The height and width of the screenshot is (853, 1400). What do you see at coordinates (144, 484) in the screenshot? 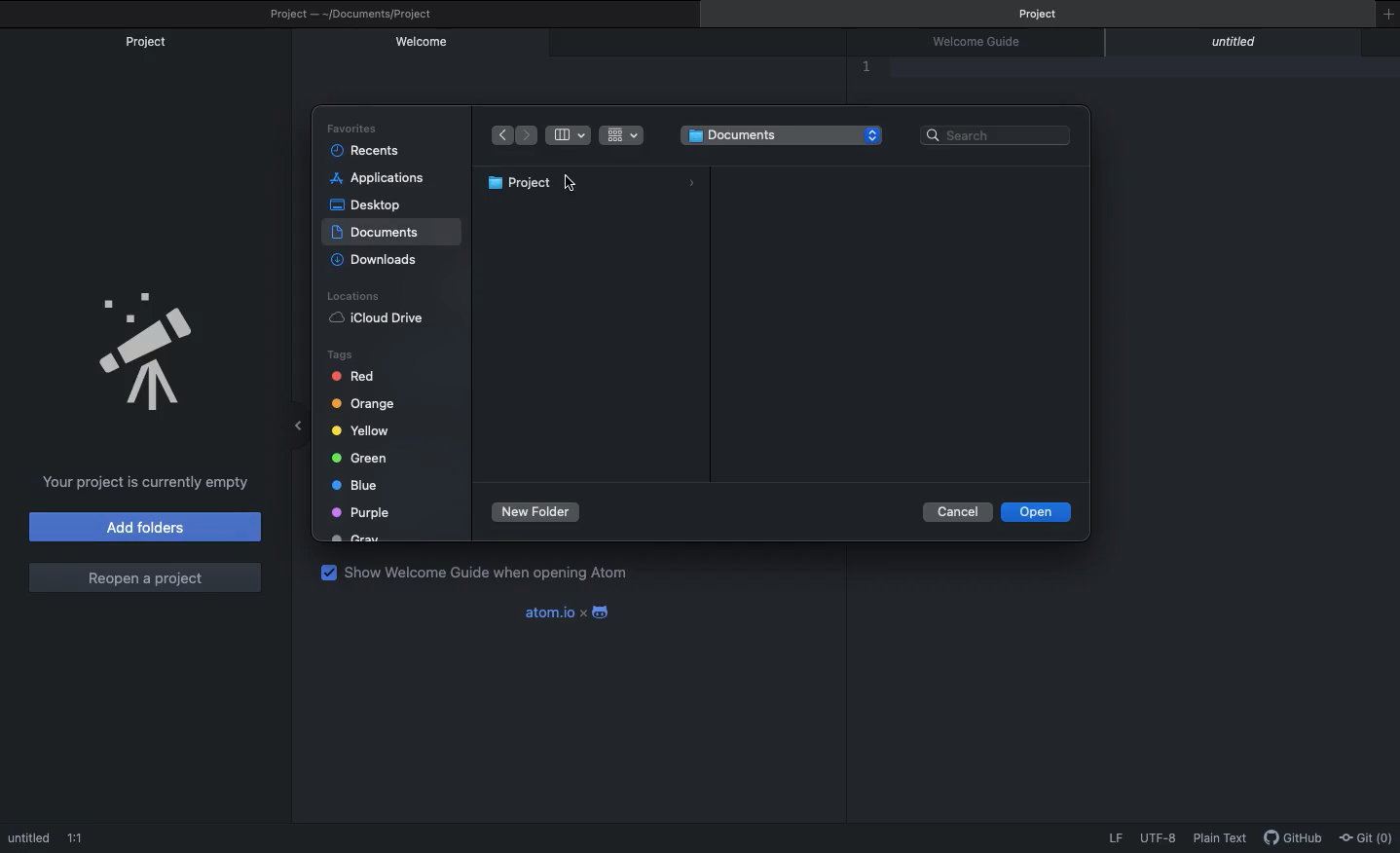
I see `Project is currently empty ` at bounding box center [144, 484].